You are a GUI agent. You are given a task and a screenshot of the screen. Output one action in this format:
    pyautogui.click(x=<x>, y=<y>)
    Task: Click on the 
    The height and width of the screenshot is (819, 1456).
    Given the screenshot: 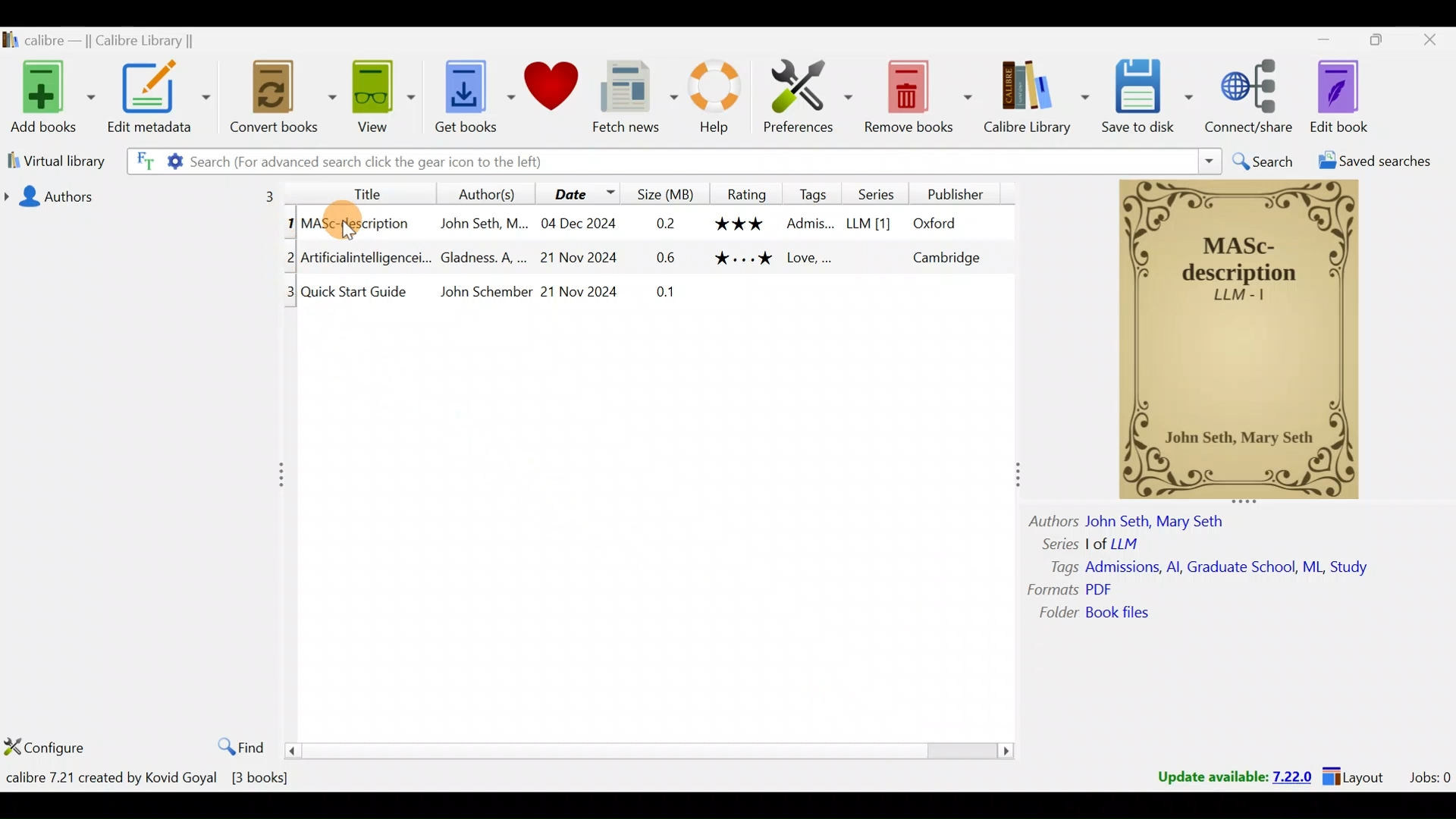 What is the action you would take?
    pyautogui.click(x=363, y=224)
    